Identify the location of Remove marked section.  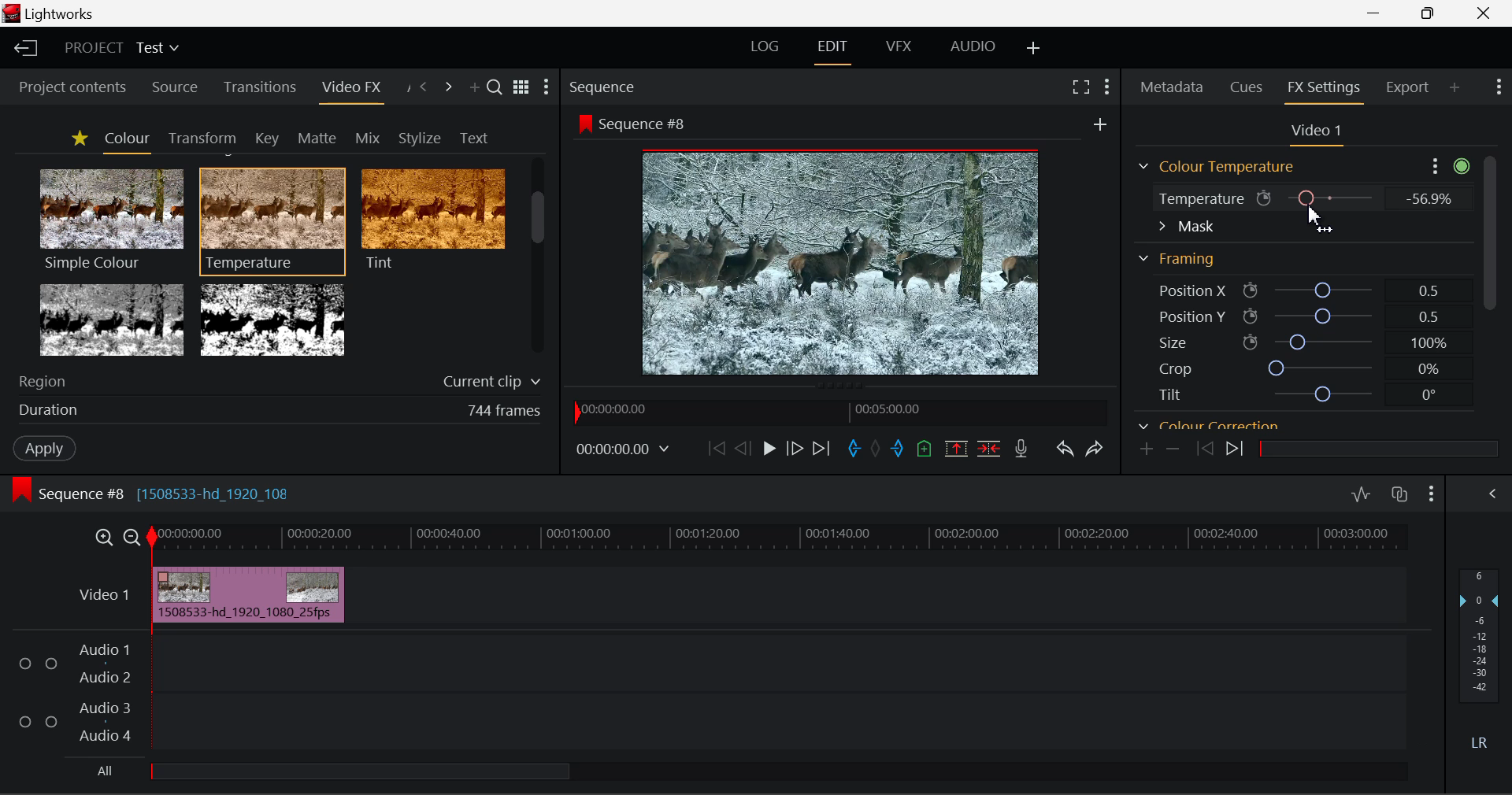
(954, 449).